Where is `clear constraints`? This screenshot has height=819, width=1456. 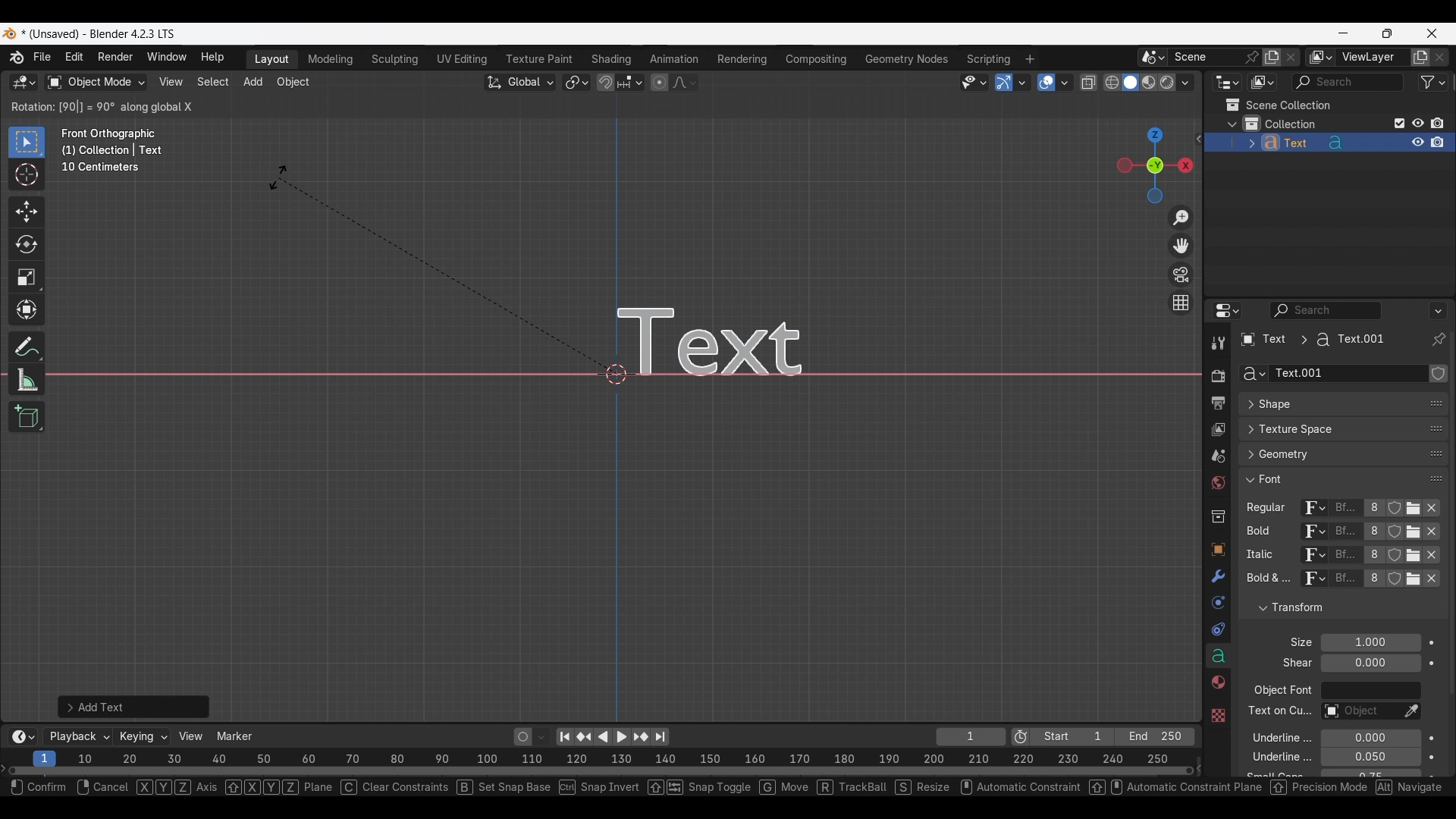
clear constraints is located at coordinates (396, 789).